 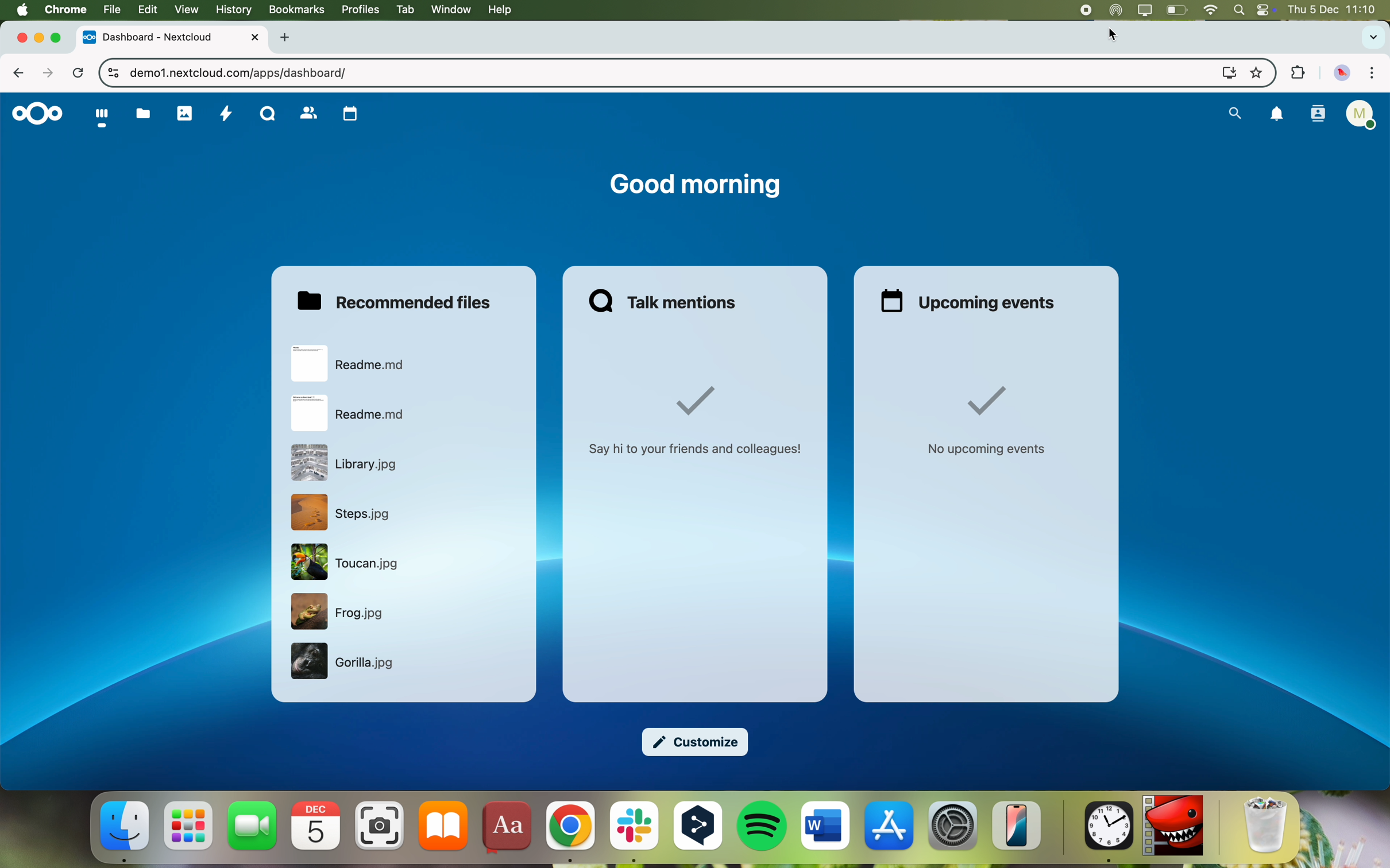 What do you see at coordinates (186, 113) in the screenshot?
I see `photos` at bounding box center [186, 113].